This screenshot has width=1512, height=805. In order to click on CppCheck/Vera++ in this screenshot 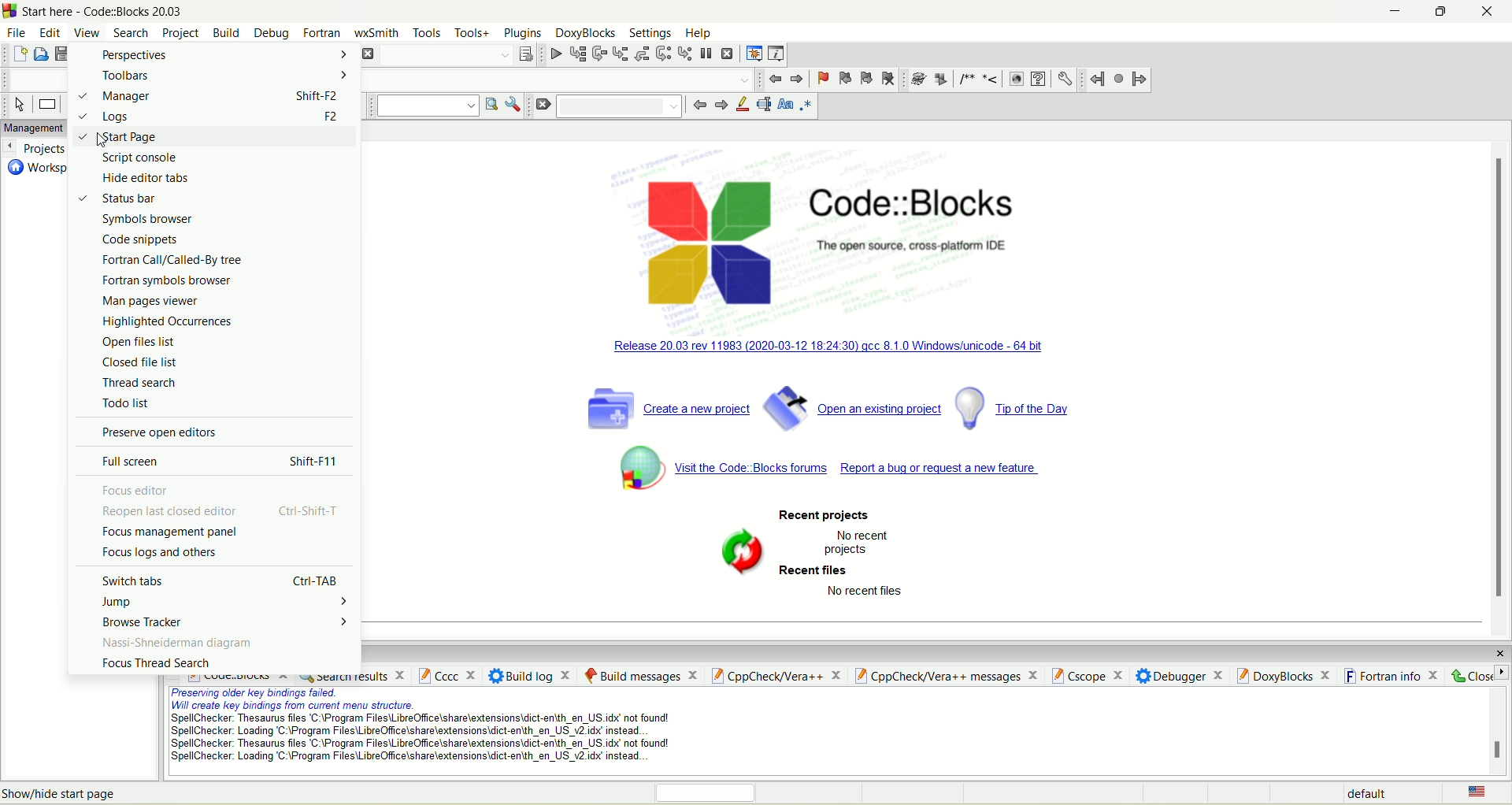, I will do `click(775, 677)`.